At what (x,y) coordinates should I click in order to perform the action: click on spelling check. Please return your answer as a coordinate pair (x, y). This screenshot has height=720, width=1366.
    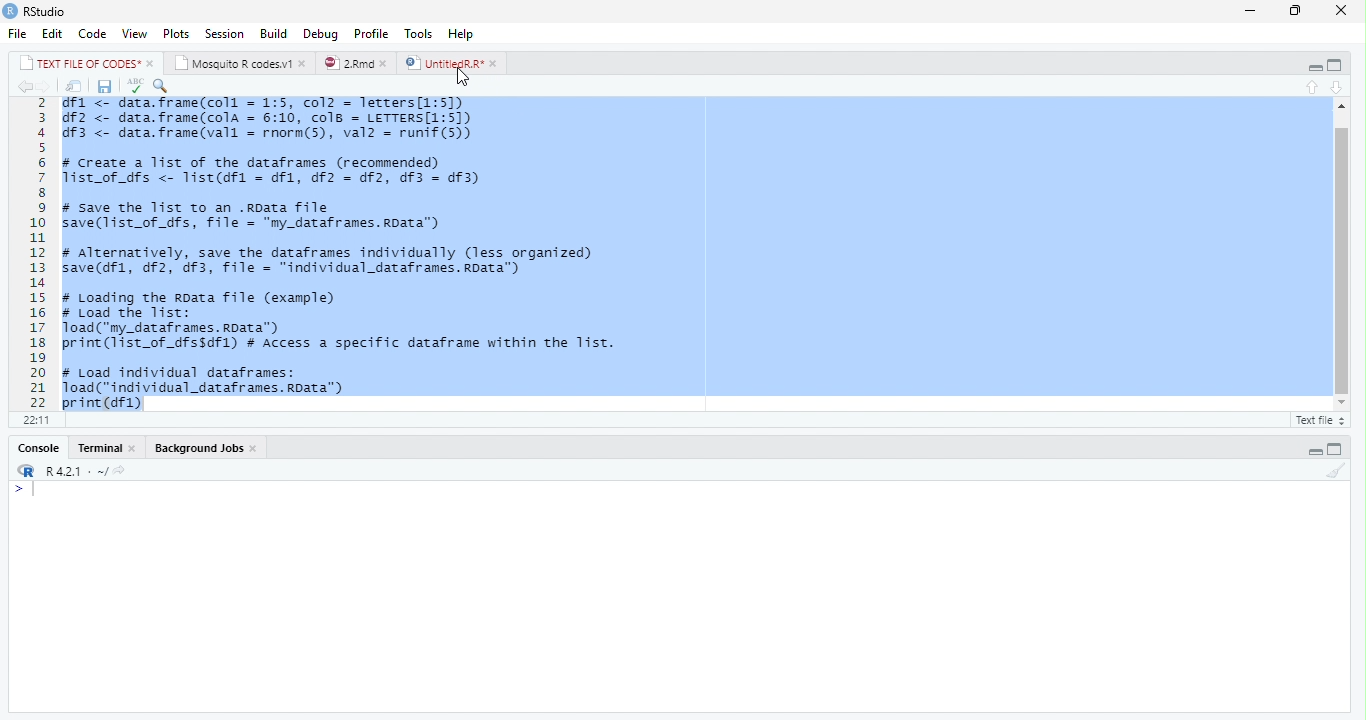
    Looking at the image, I should click on (135, 86).